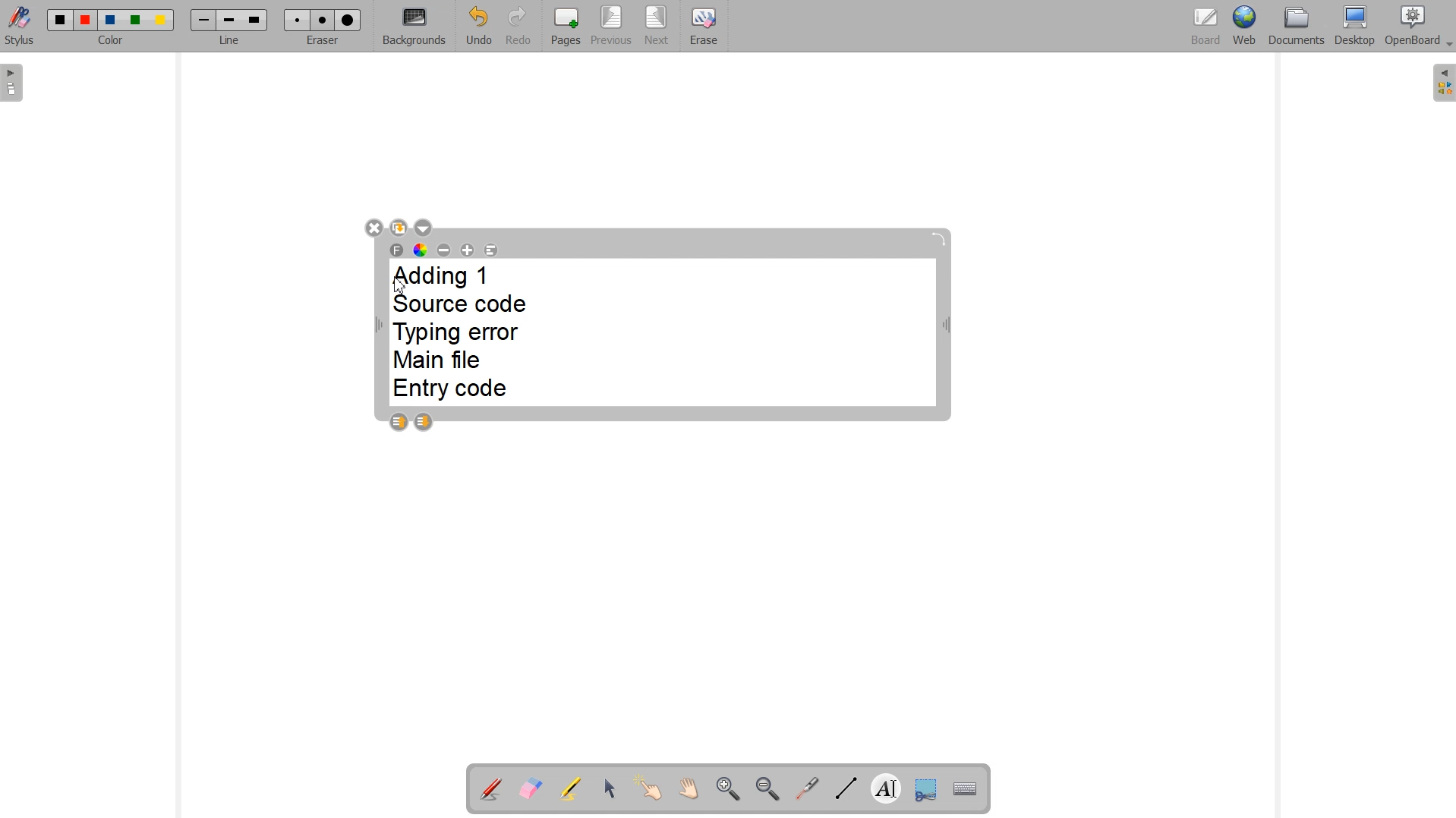 This screenshot has height=818, width=1456. Describe the element at coordinates (137, 20) in the screenshot. I see `Color 4` at that location.